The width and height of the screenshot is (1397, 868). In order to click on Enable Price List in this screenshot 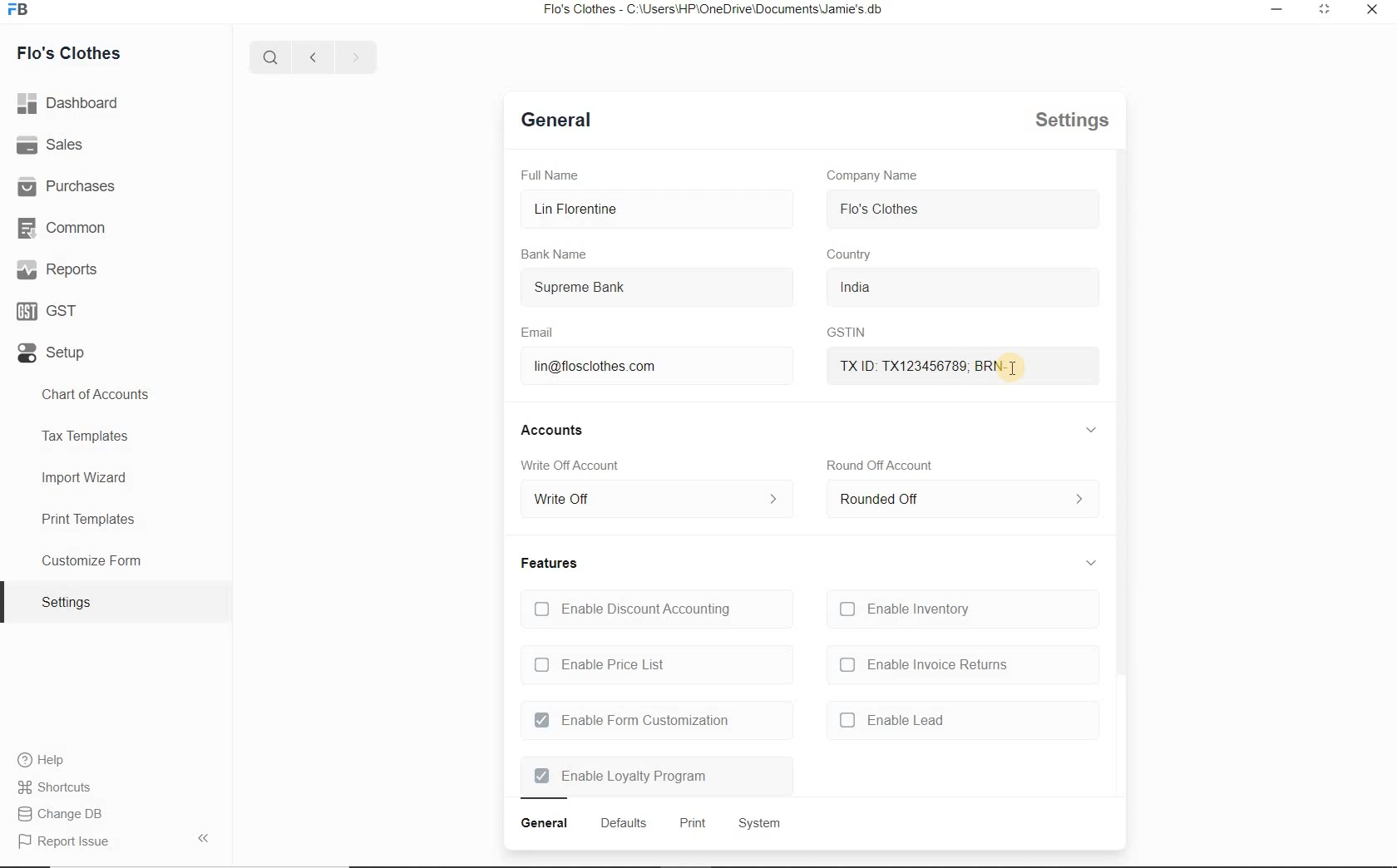, I will do `click(603, 666)`.